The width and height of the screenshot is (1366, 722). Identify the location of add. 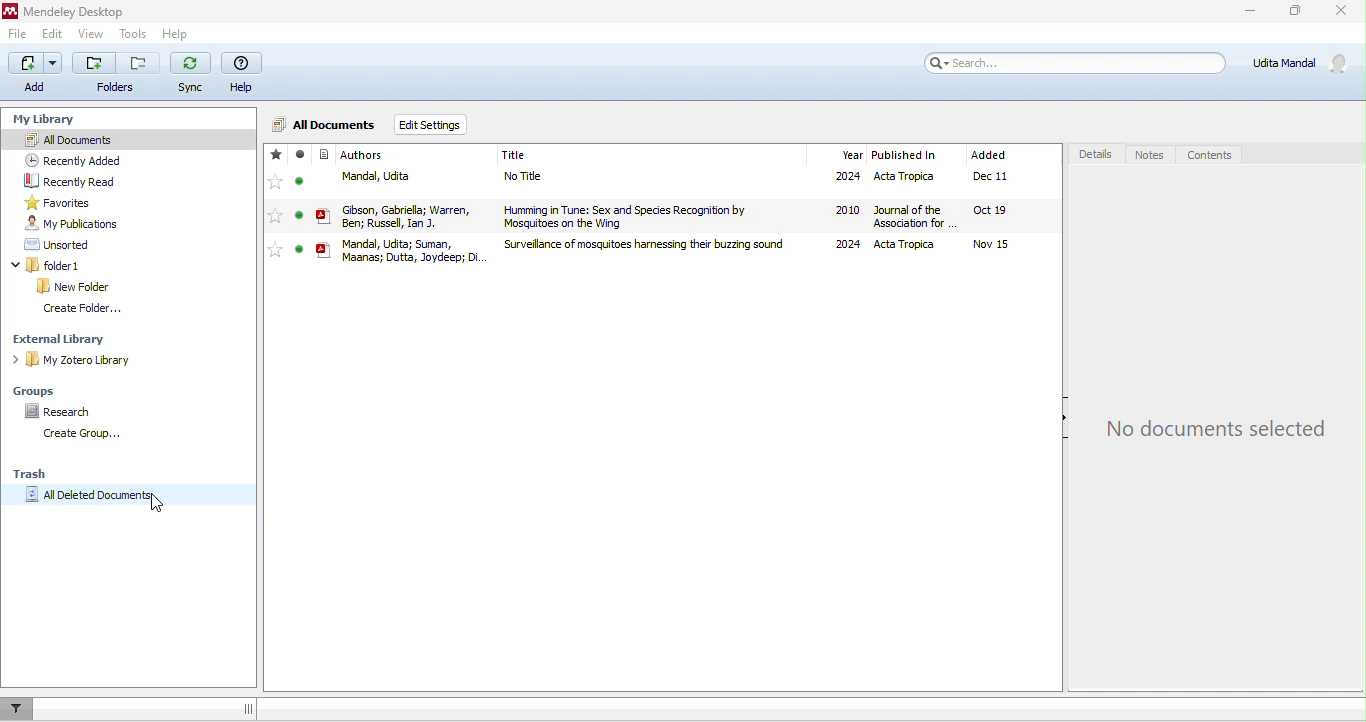
(33, 74).